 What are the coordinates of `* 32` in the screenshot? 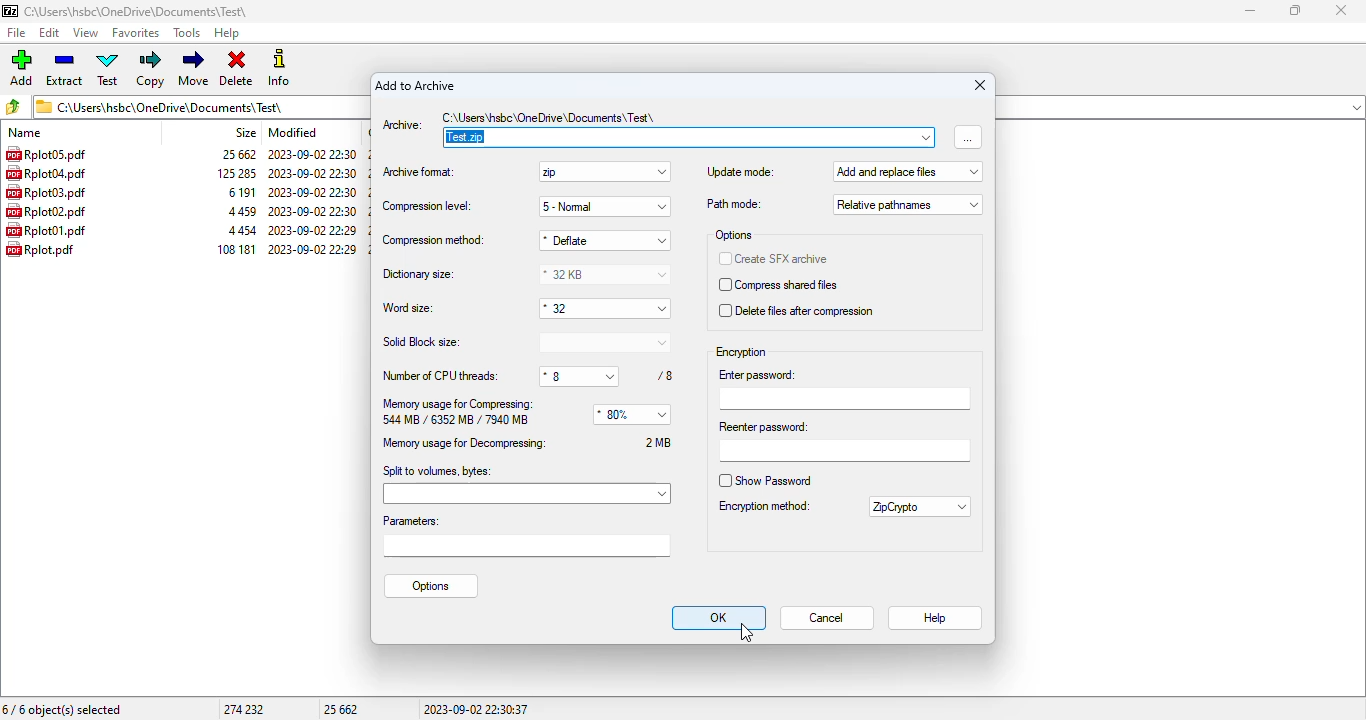 It's located at (602, 307).